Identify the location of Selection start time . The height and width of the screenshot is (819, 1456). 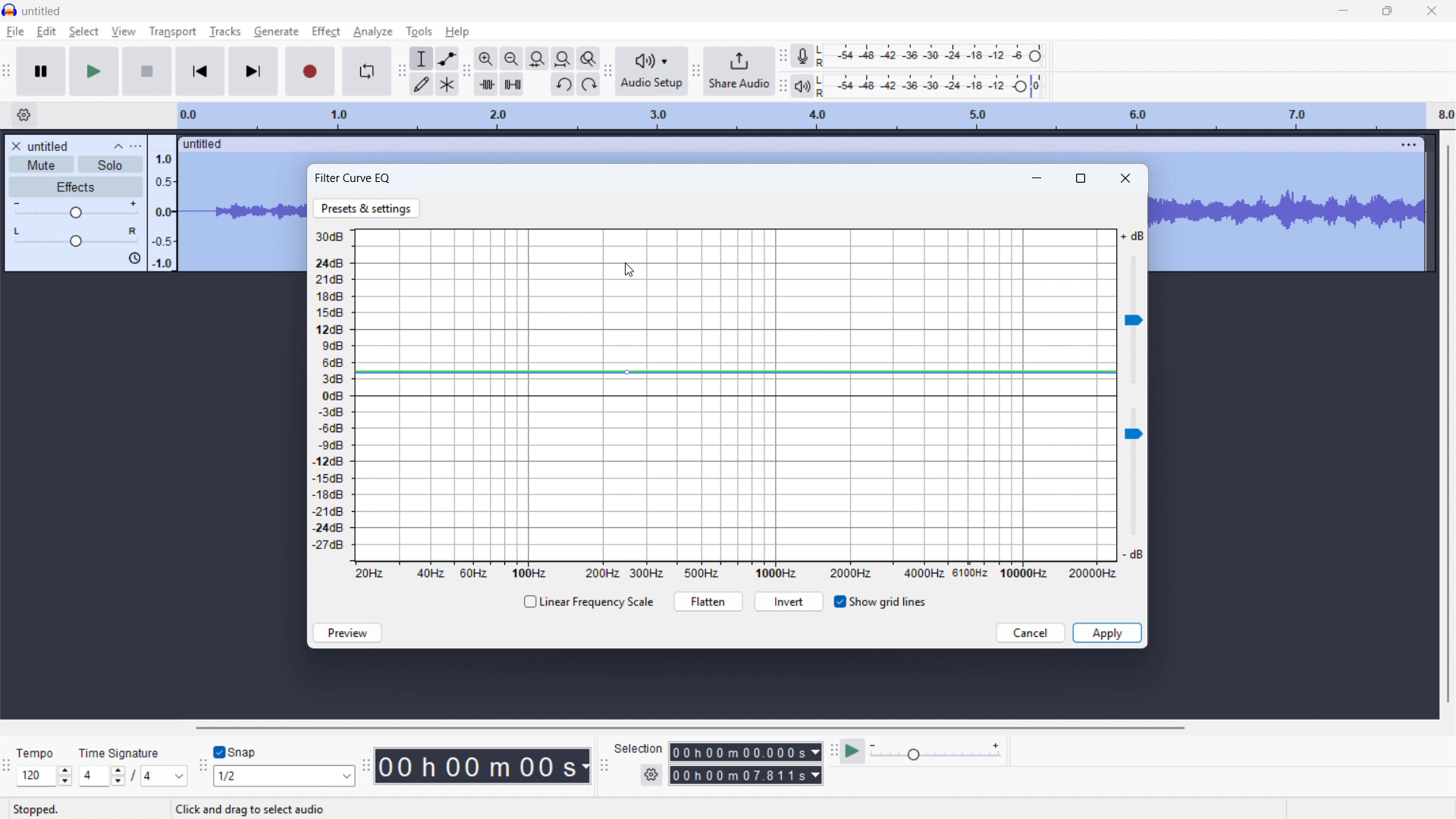
(745, 752).